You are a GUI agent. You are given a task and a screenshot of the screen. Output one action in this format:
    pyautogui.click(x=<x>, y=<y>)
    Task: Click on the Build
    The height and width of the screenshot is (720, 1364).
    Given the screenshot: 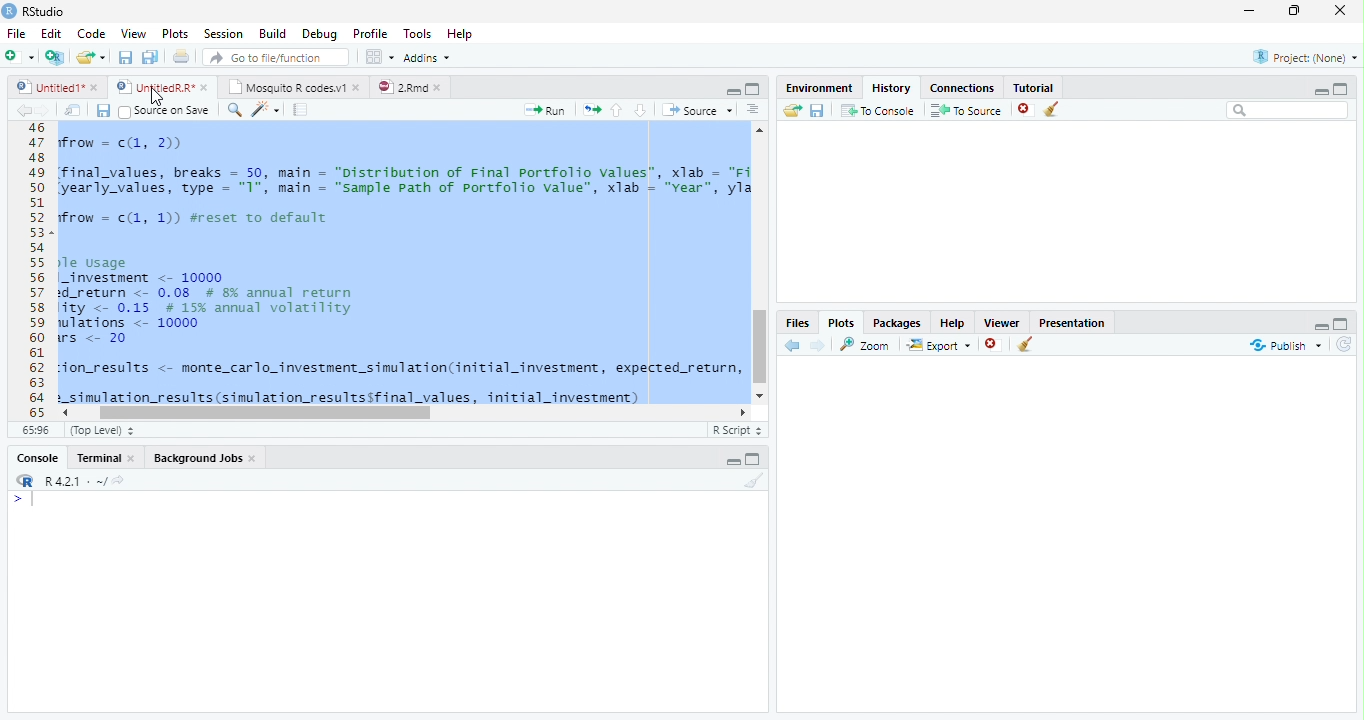 What is the action you would take?
    pyautogui.click(x=273, y=34)
    